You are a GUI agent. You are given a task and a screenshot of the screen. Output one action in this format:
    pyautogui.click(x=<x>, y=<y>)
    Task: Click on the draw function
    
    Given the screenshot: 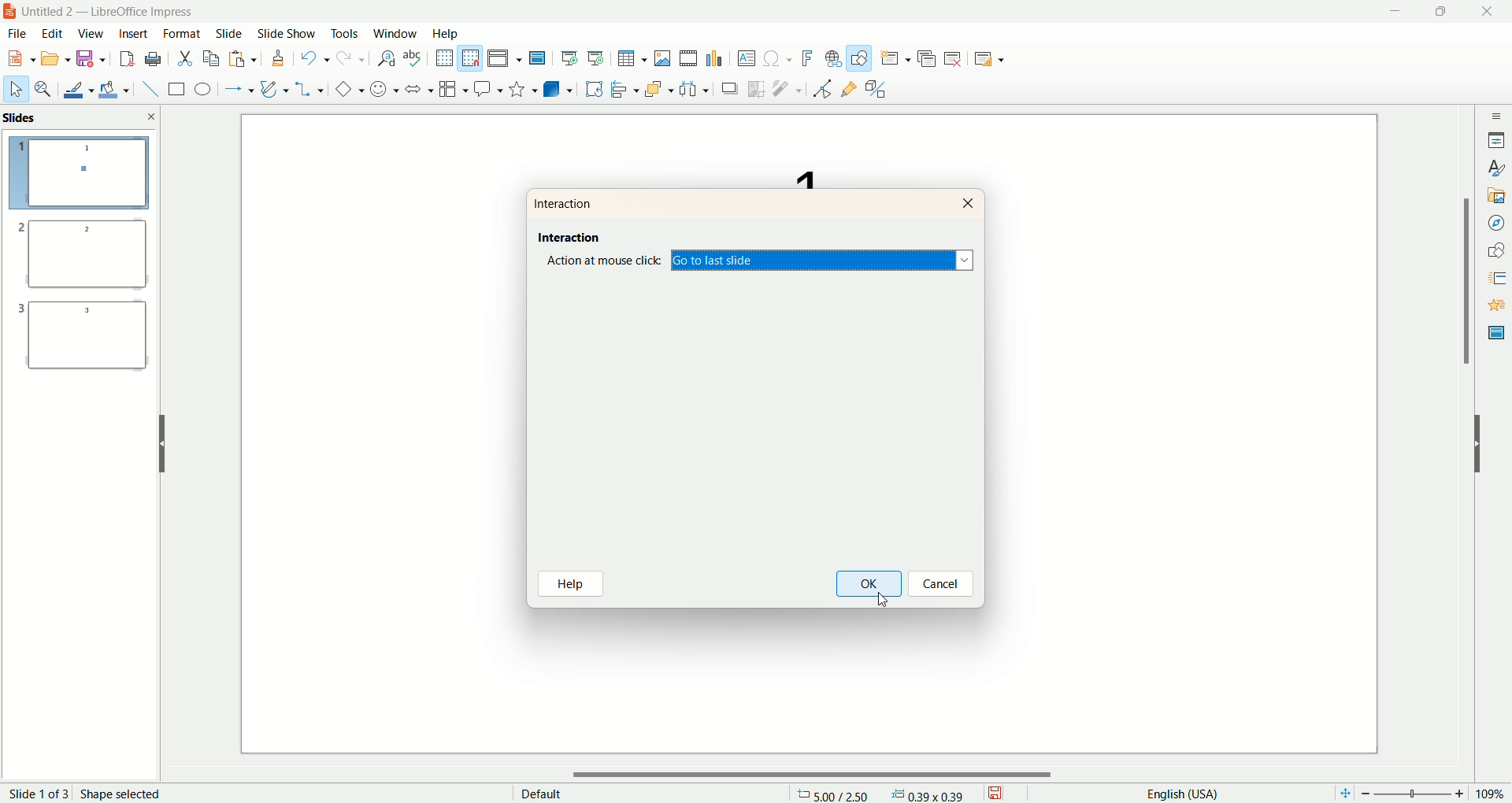 What is the action you would take?
    pyautogui.click(x=859, y=58)
    